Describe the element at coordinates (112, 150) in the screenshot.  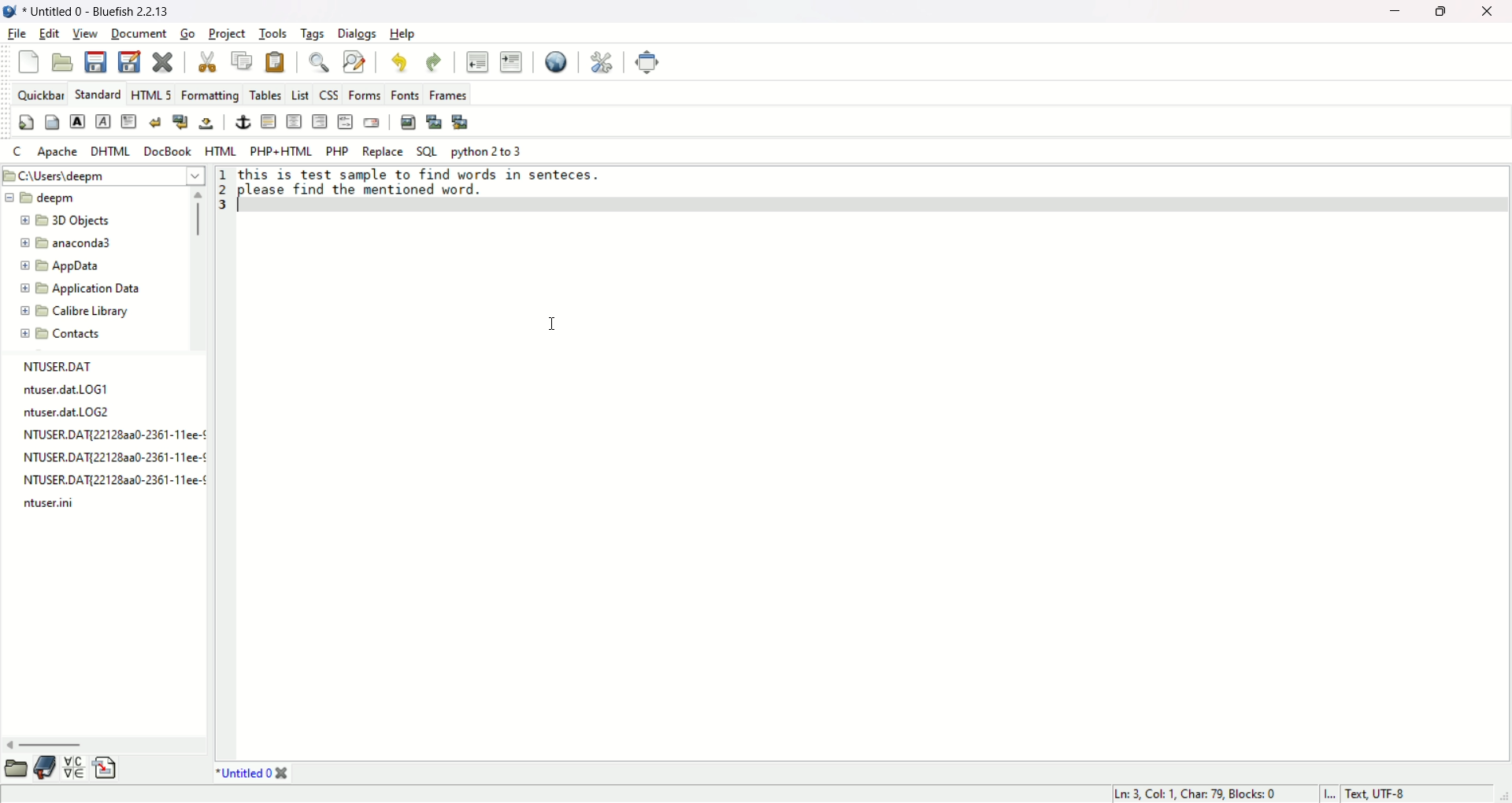
I see `DHTML` at that location.